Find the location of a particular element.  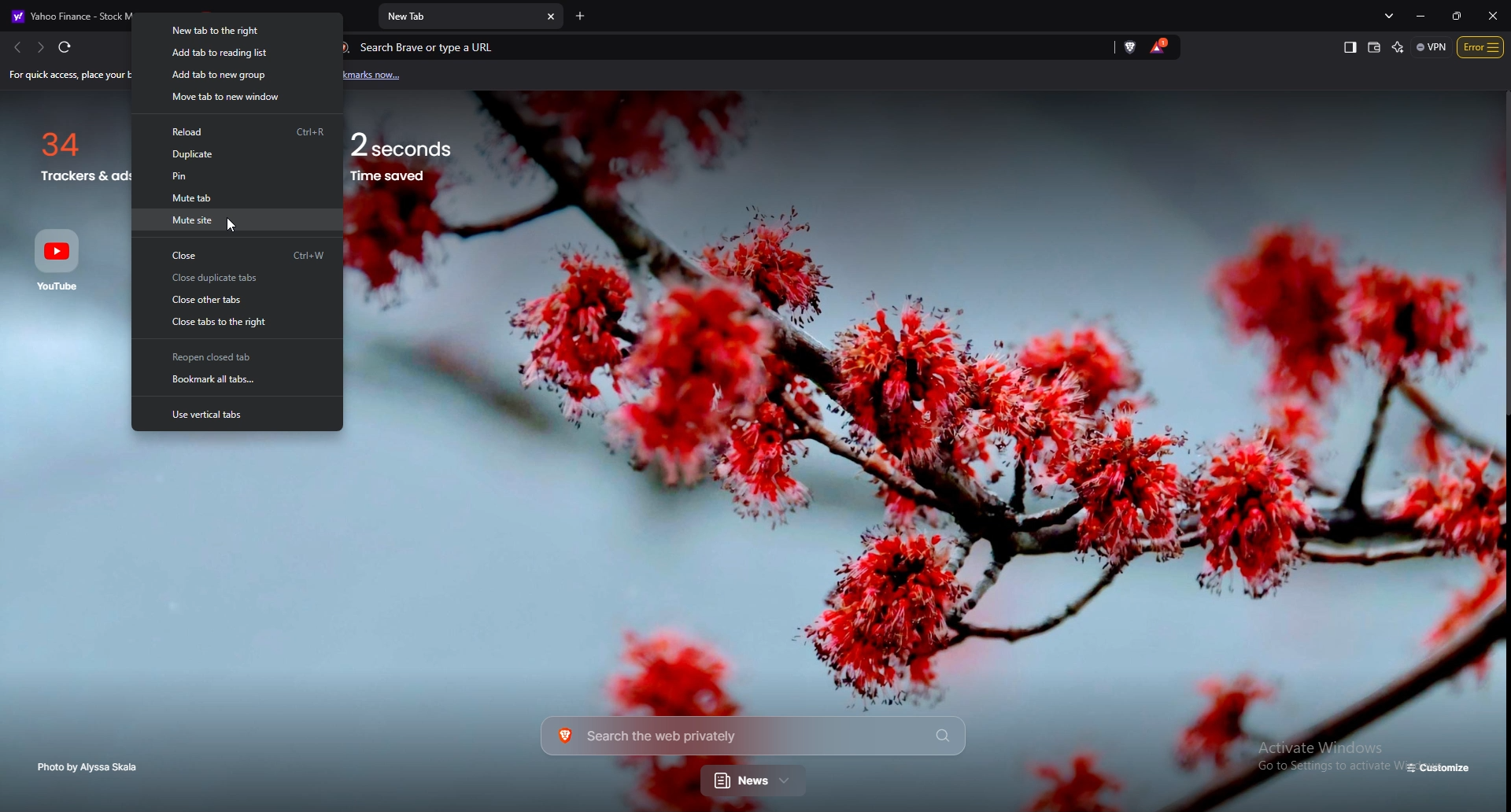

move tab to new window is located at coordinates (238, 98).